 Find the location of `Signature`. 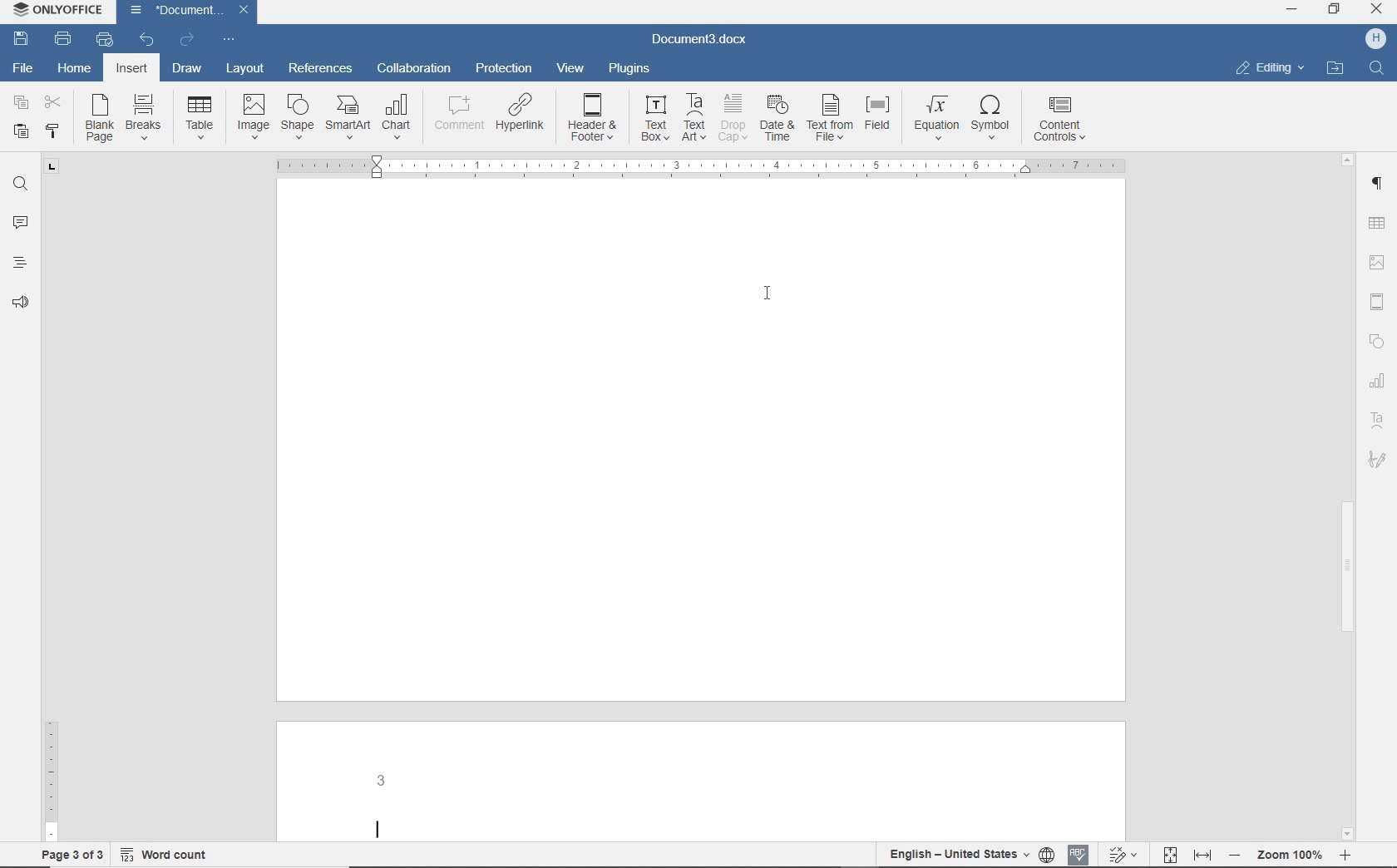

Signature is located at coordinates (1374, 465).